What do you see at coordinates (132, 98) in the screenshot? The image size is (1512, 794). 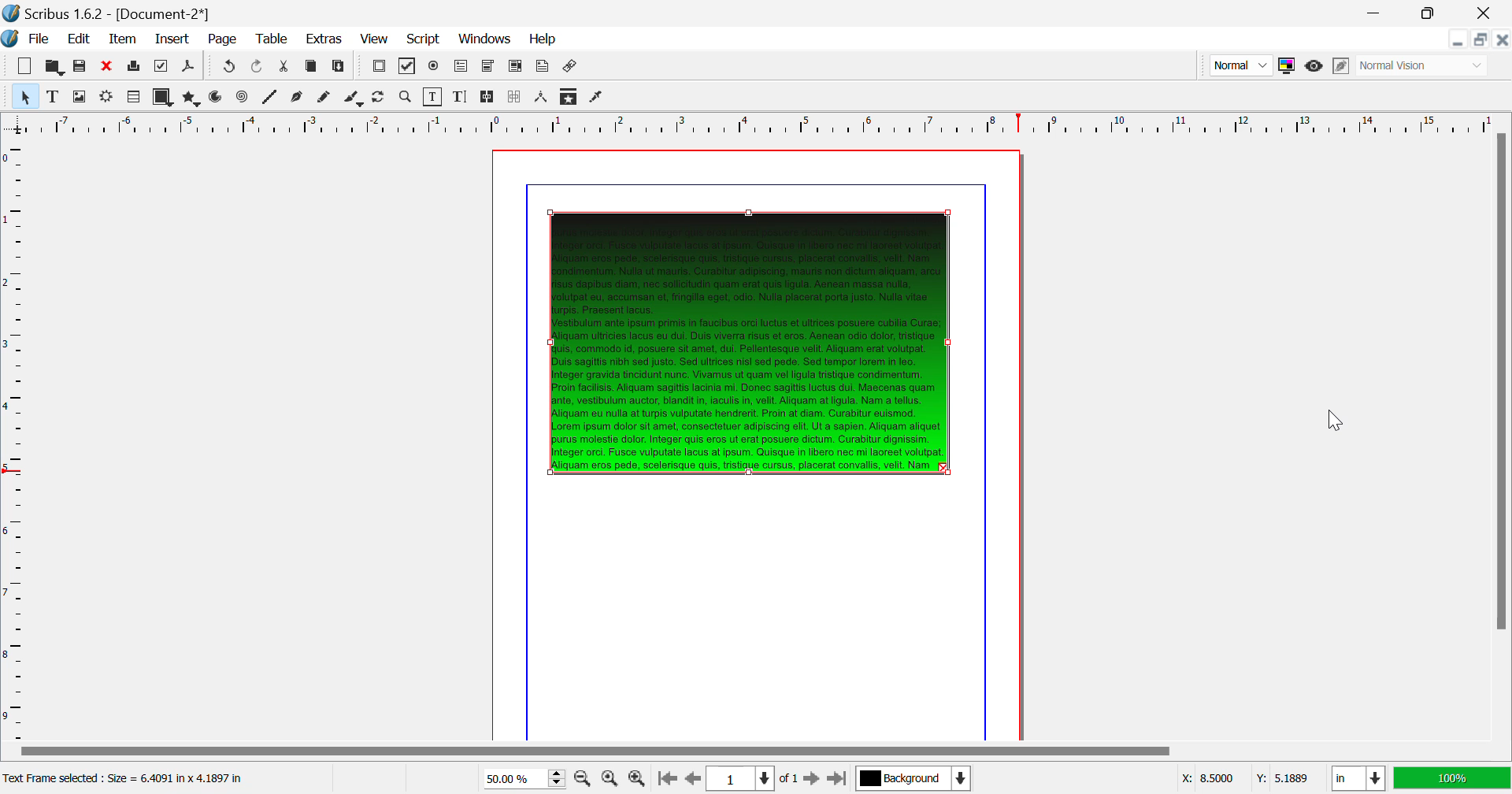 I see `Render Frame` at bounding box center [132, 98].